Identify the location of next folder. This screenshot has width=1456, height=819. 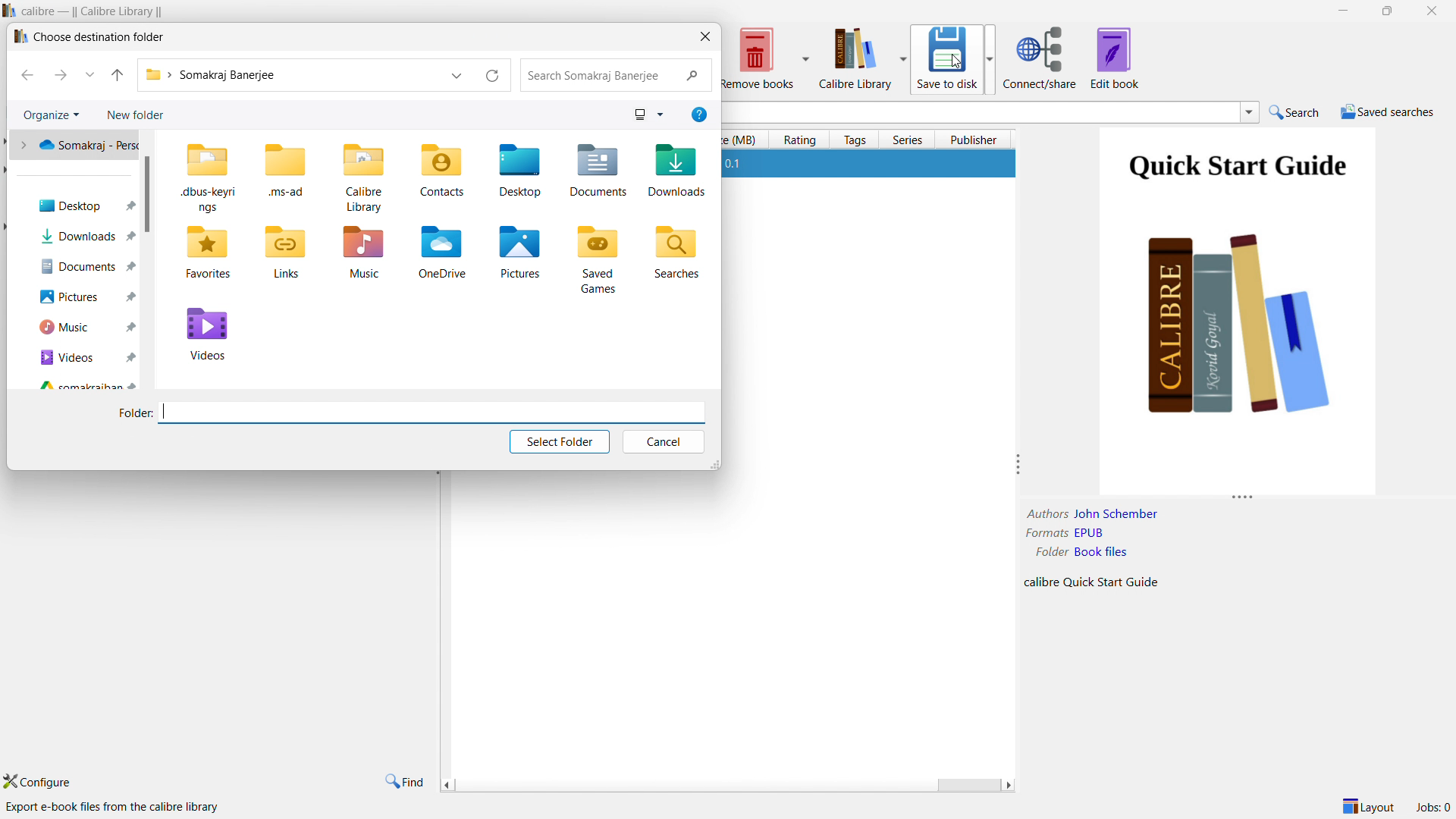
(58, 75).